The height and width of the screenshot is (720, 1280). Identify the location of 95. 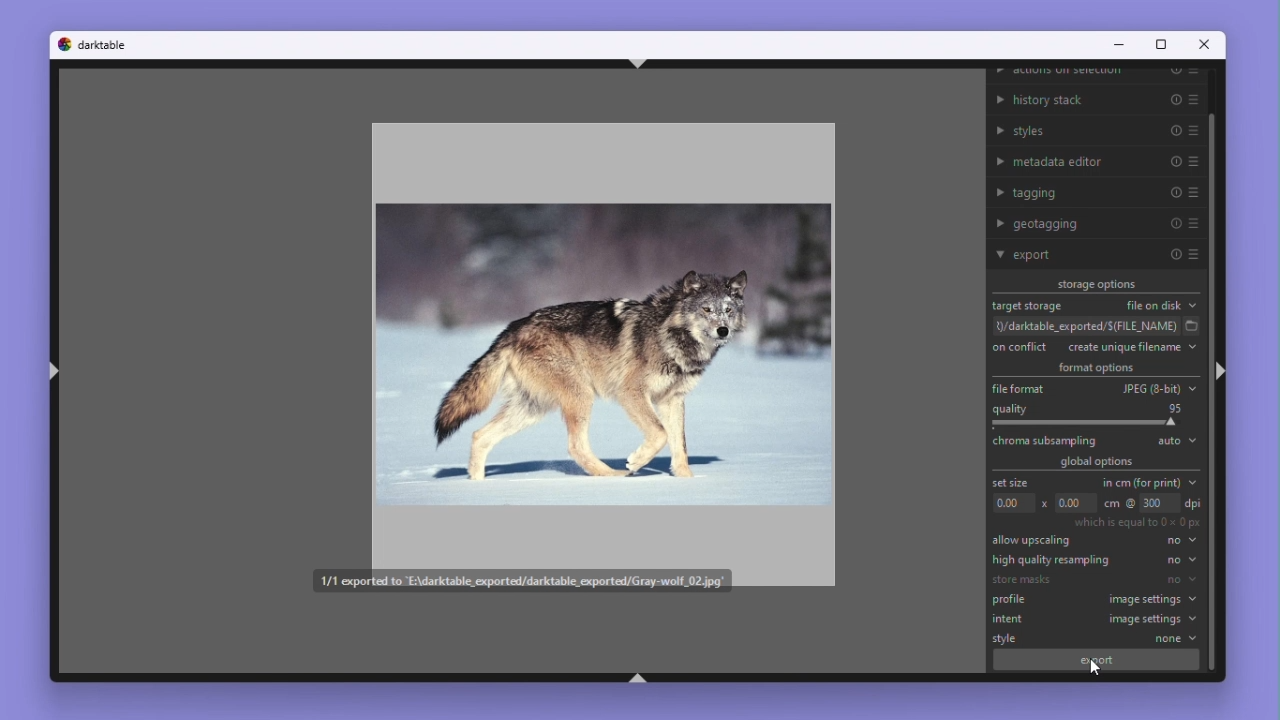
(1170, 410).